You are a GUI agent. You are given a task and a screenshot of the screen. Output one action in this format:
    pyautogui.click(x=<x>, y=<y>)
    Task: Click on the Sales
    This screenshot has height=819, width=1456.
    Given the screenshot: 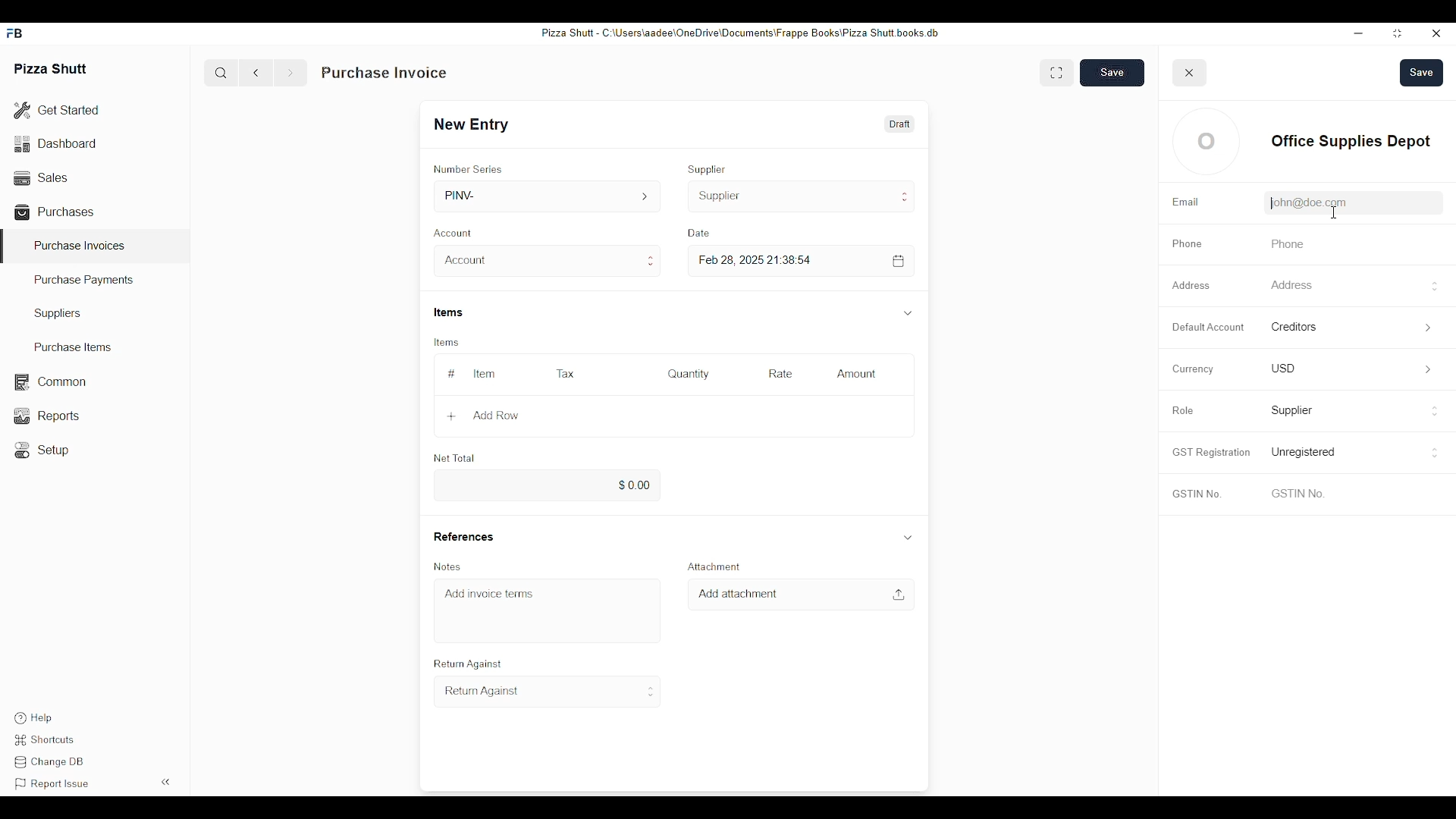 What is the action you would take?
    pyautogui.click(x=39, y=176)
    